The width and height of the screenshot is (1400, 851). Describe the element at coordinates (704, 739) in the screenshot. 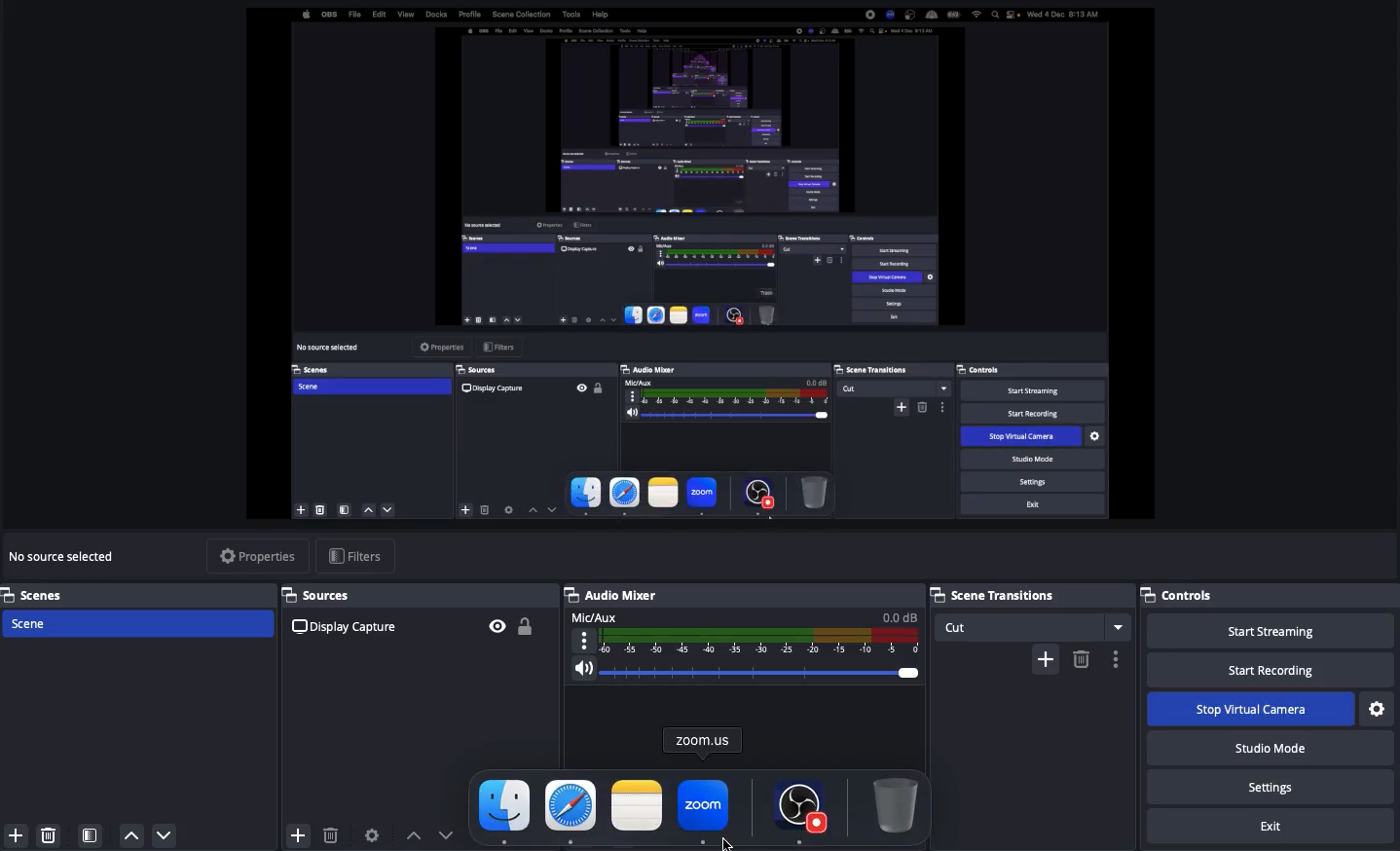

I see `Zoom us` at that location.